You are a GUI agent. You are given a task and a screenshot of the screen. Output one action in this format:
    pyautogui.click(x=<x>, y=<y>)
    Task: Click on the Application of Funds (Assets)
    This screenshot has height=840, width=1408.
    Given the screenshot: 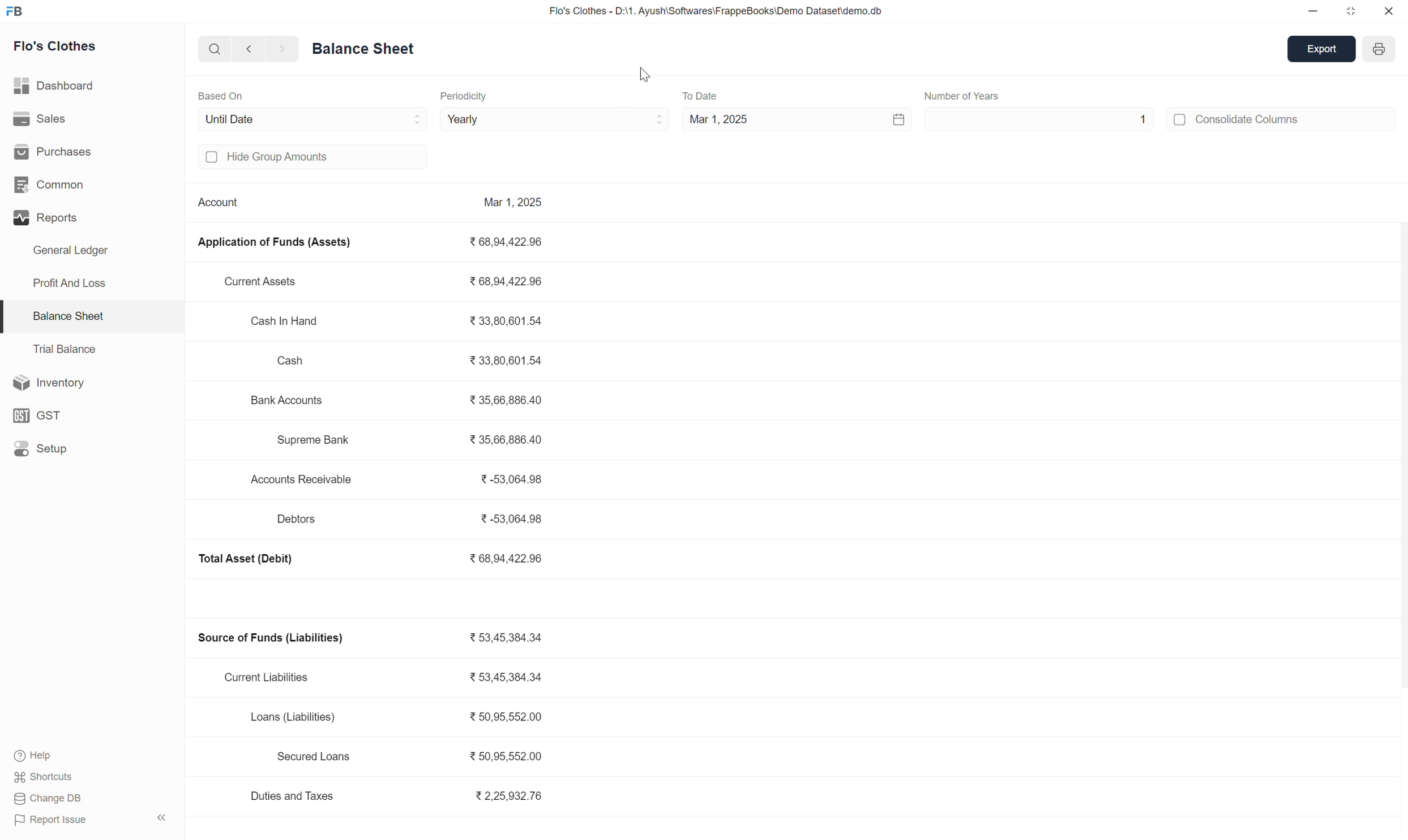 What is the action you would take?
    pyautogui.click(x=274, y=242)
    